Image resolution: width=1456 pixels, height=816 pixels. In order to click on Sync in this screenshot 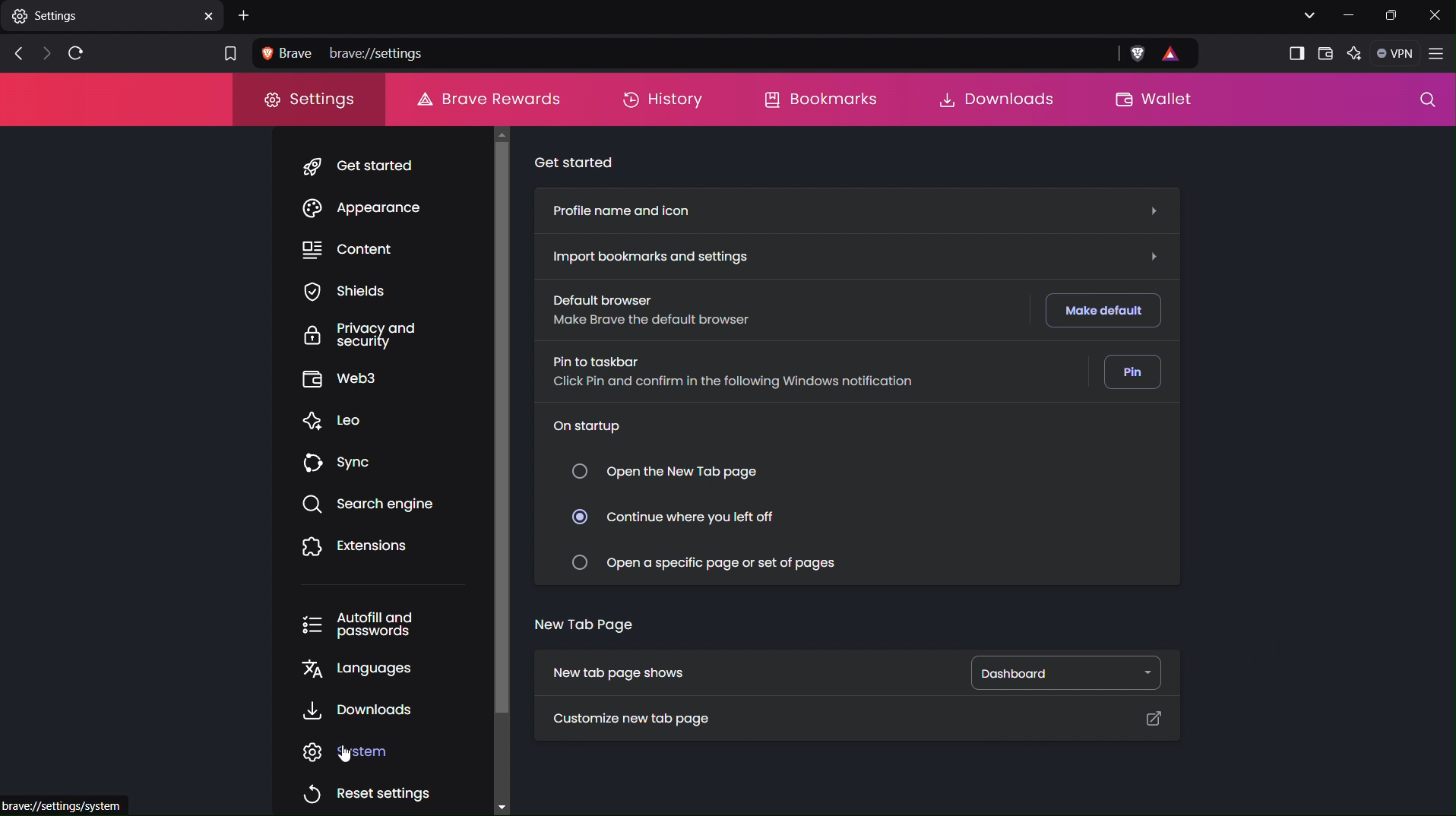, I will do `click(337, 463)`.